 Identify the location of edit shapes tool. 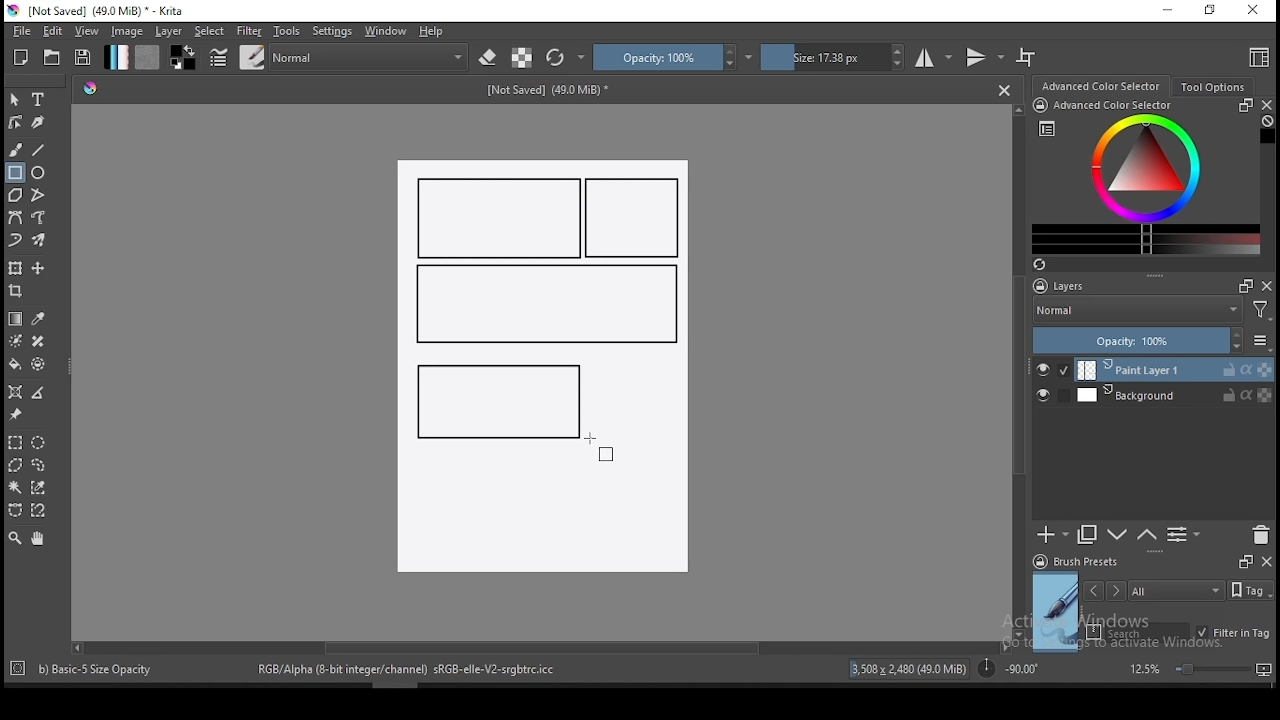
(15, 121).